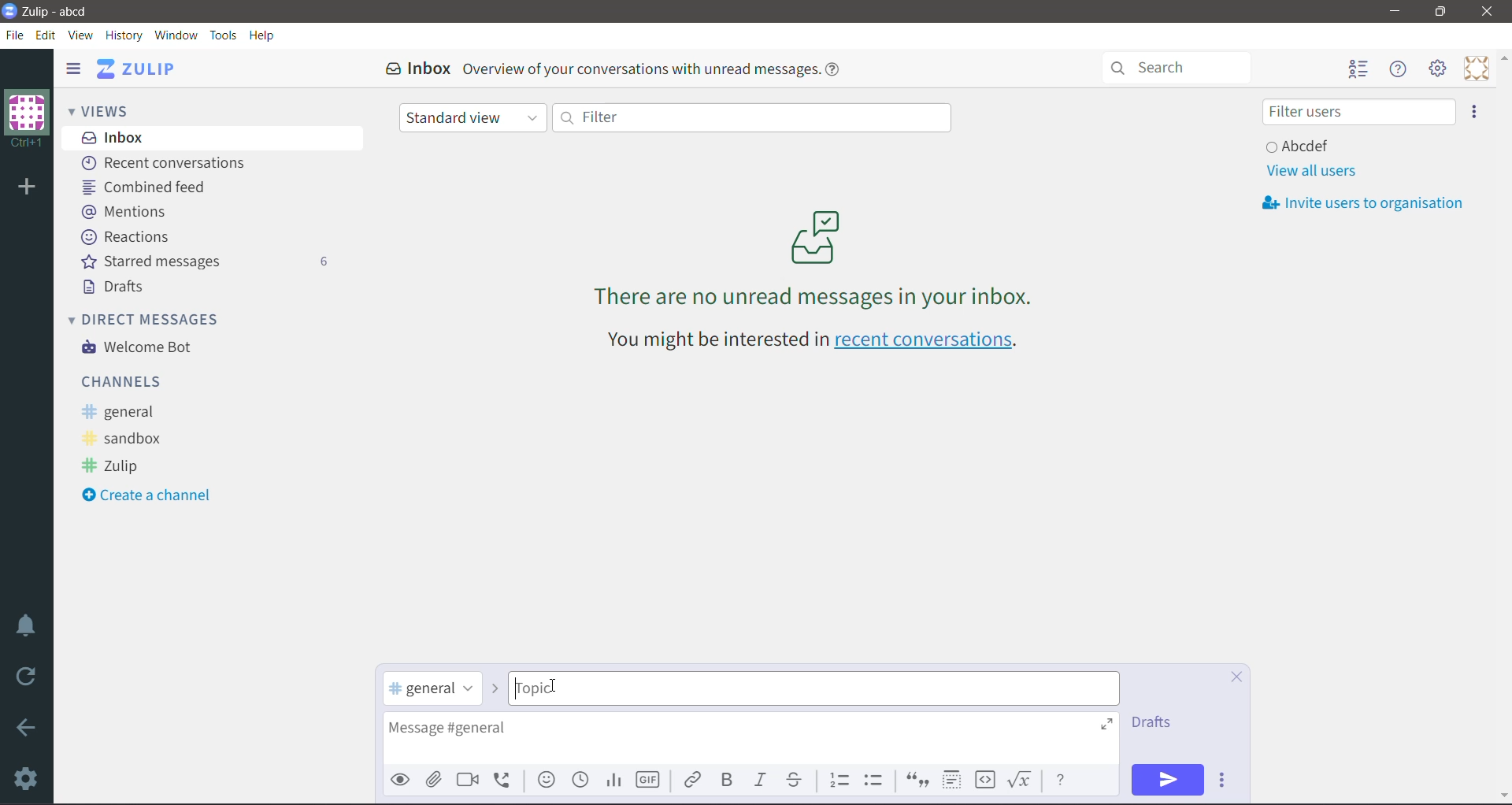  I want to click on Send, so click(1168, 780).